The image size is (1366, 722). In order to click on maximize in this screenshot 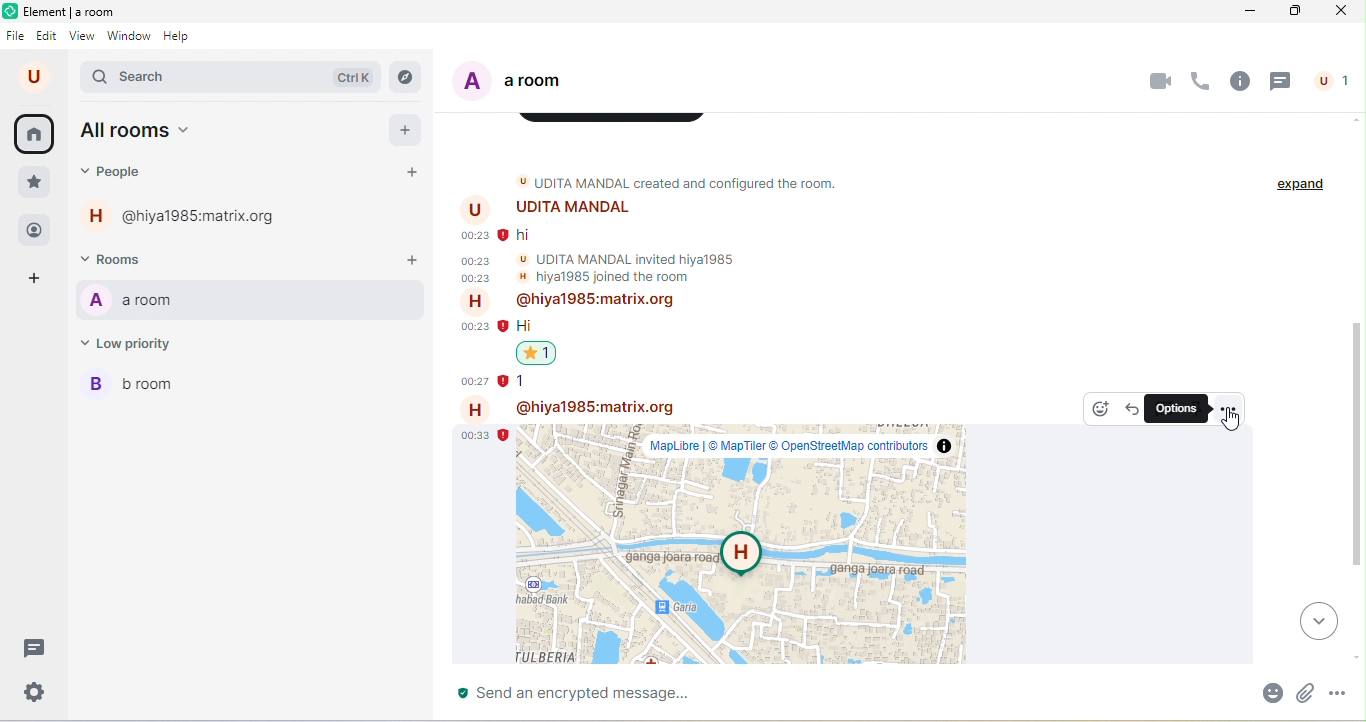, I will do `click(1294, 14)`.